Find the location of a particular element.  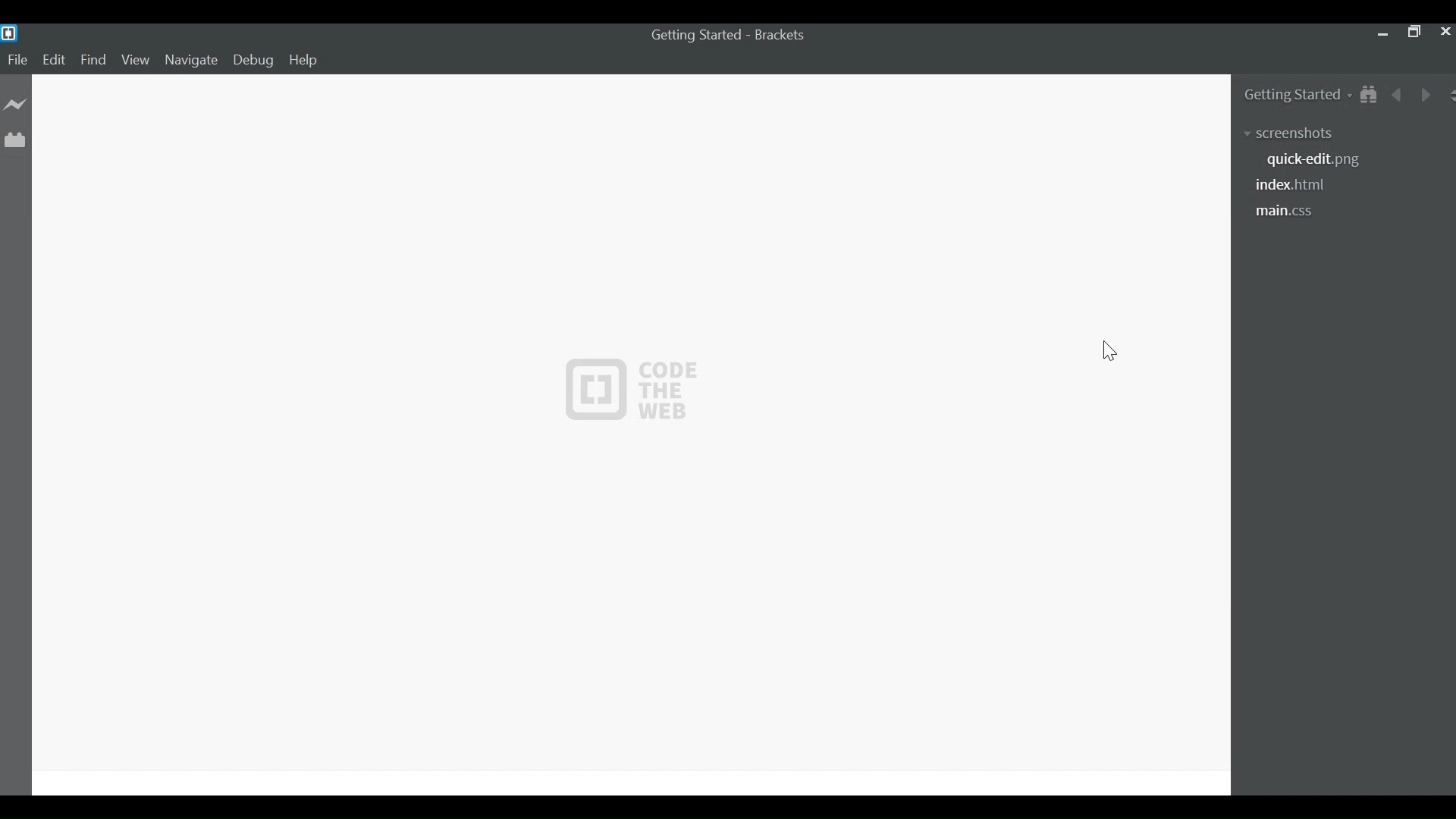

Close is located at coordinates (1445, 32).